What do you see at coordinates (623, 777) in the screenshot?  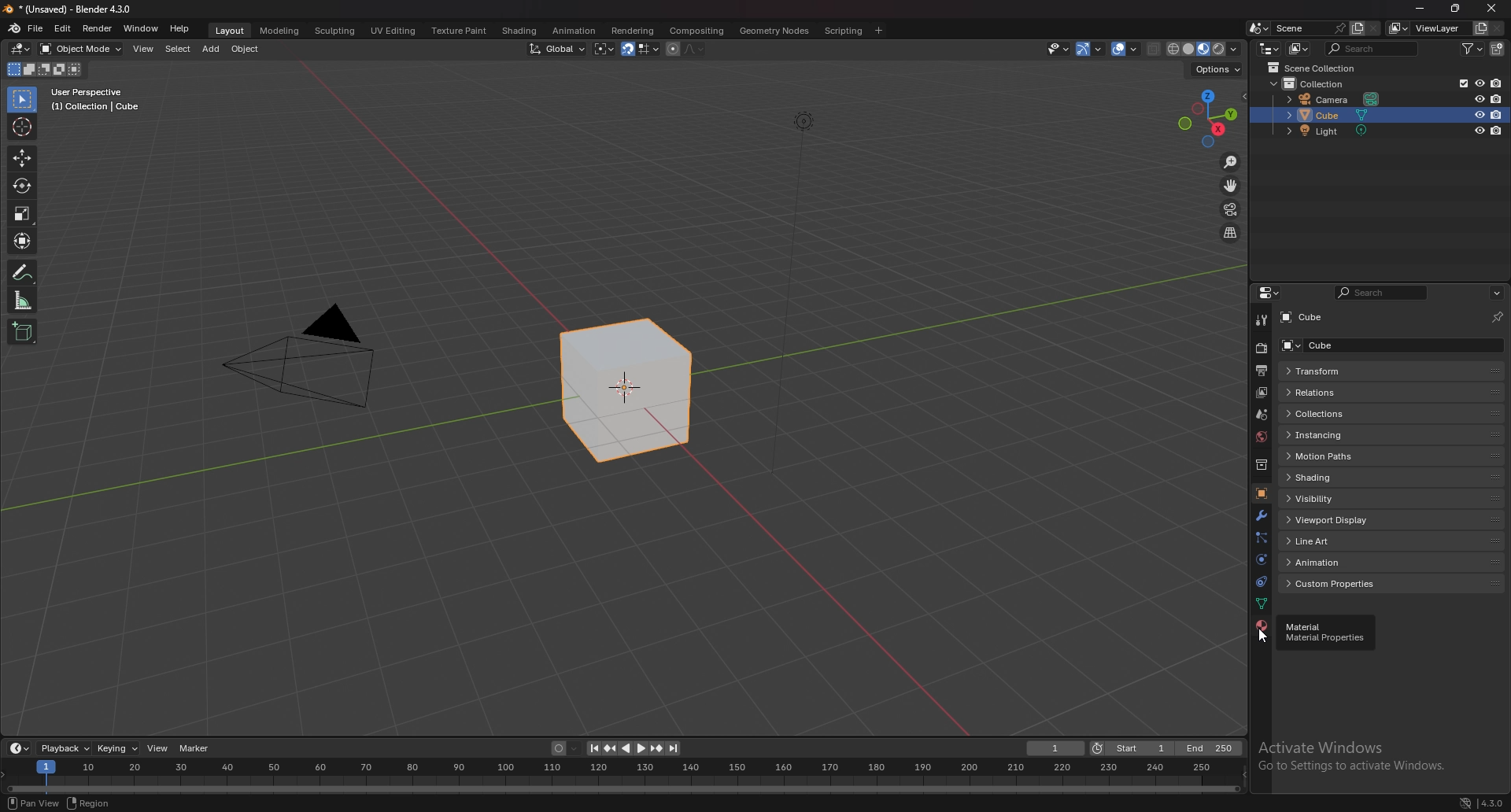 I see `seek` at bounding box center [623, 777].